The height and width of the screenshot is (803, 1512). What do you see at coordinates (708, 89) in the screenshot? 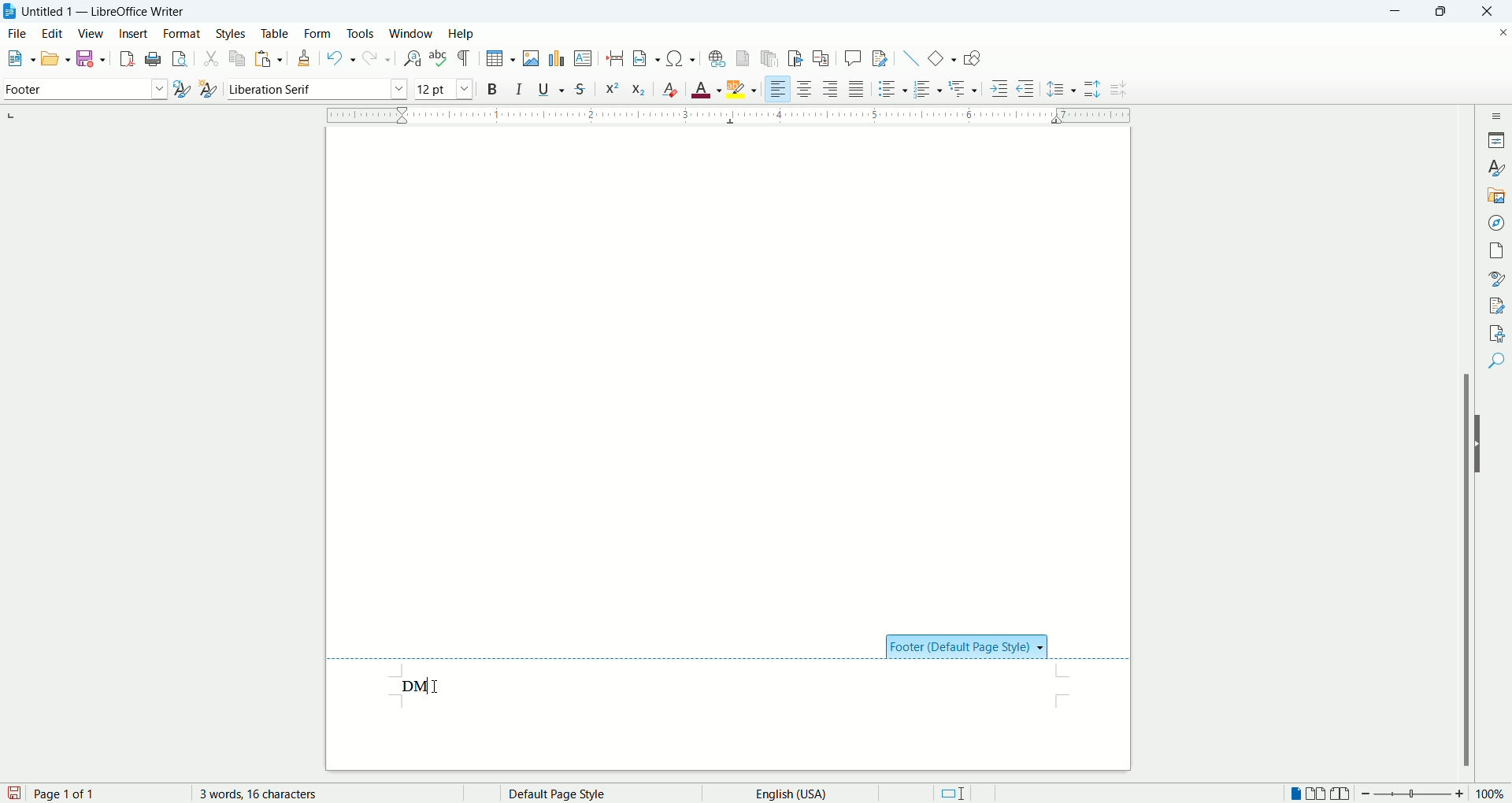
I see `text color` at bounding box center [708, 89].